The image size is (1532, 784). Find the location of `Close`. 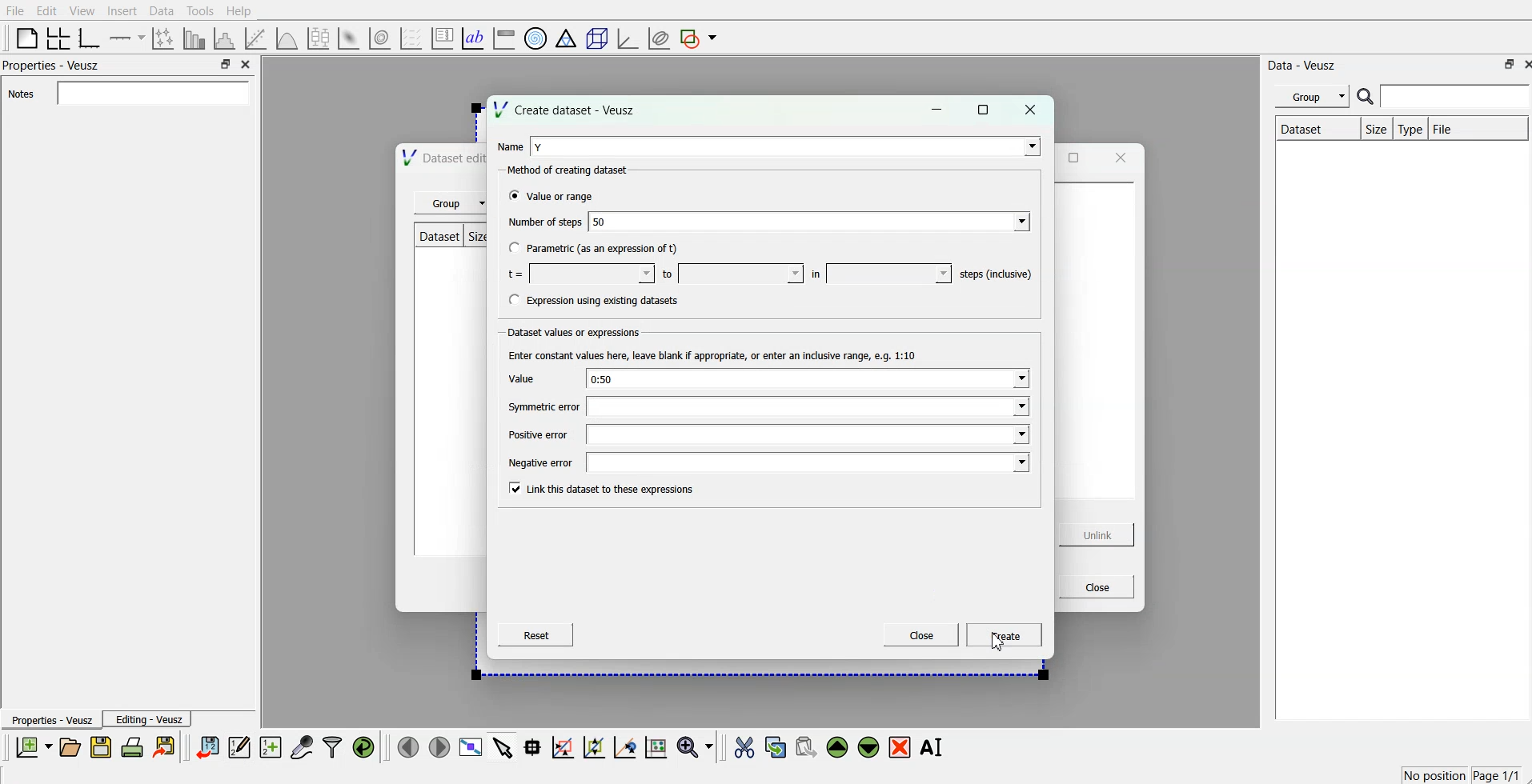

Close is located at coordinates (1094, 586).